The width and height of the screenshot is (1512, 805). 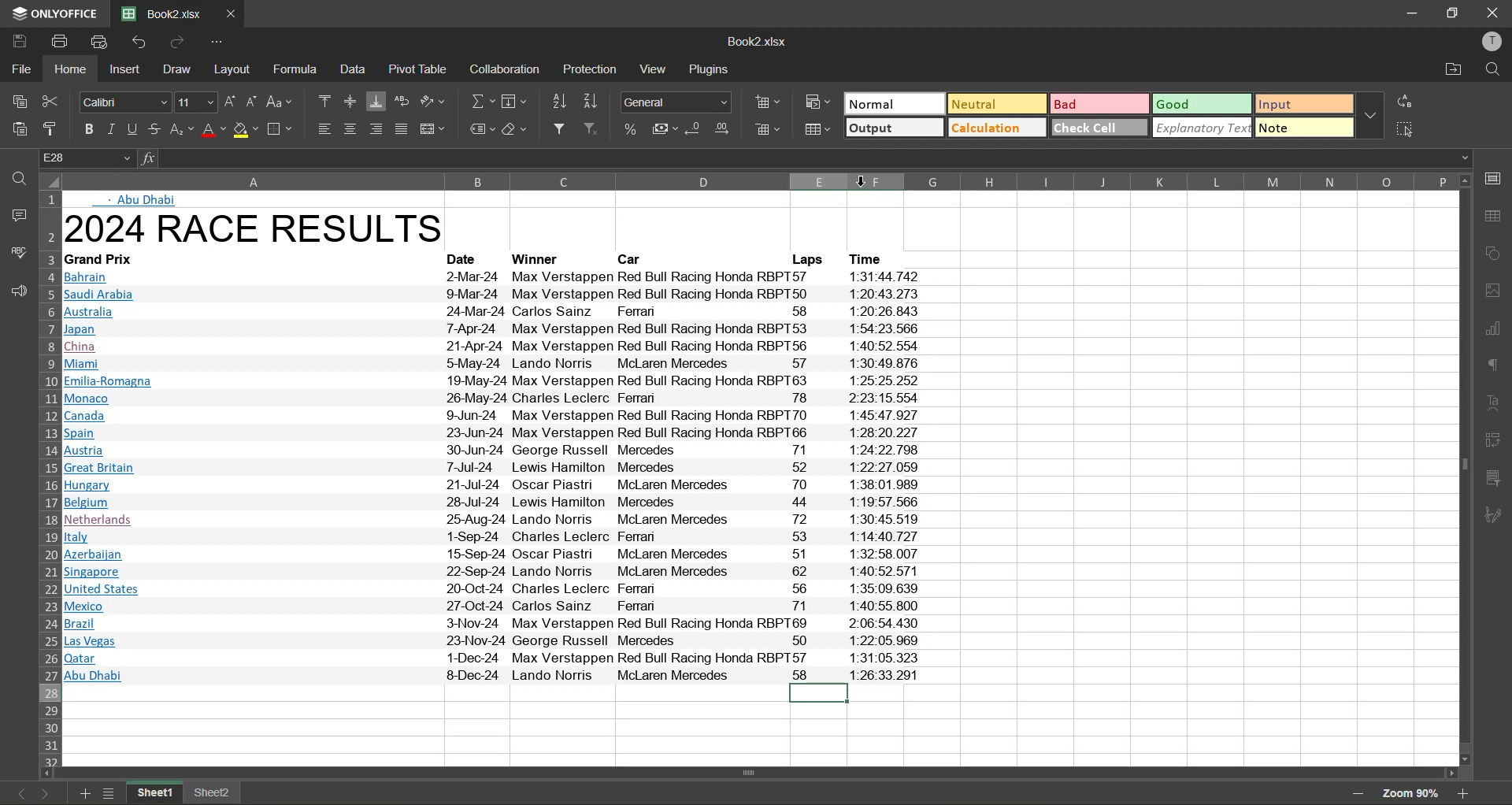 I want to click on select all, so click(x=1408, y=130).